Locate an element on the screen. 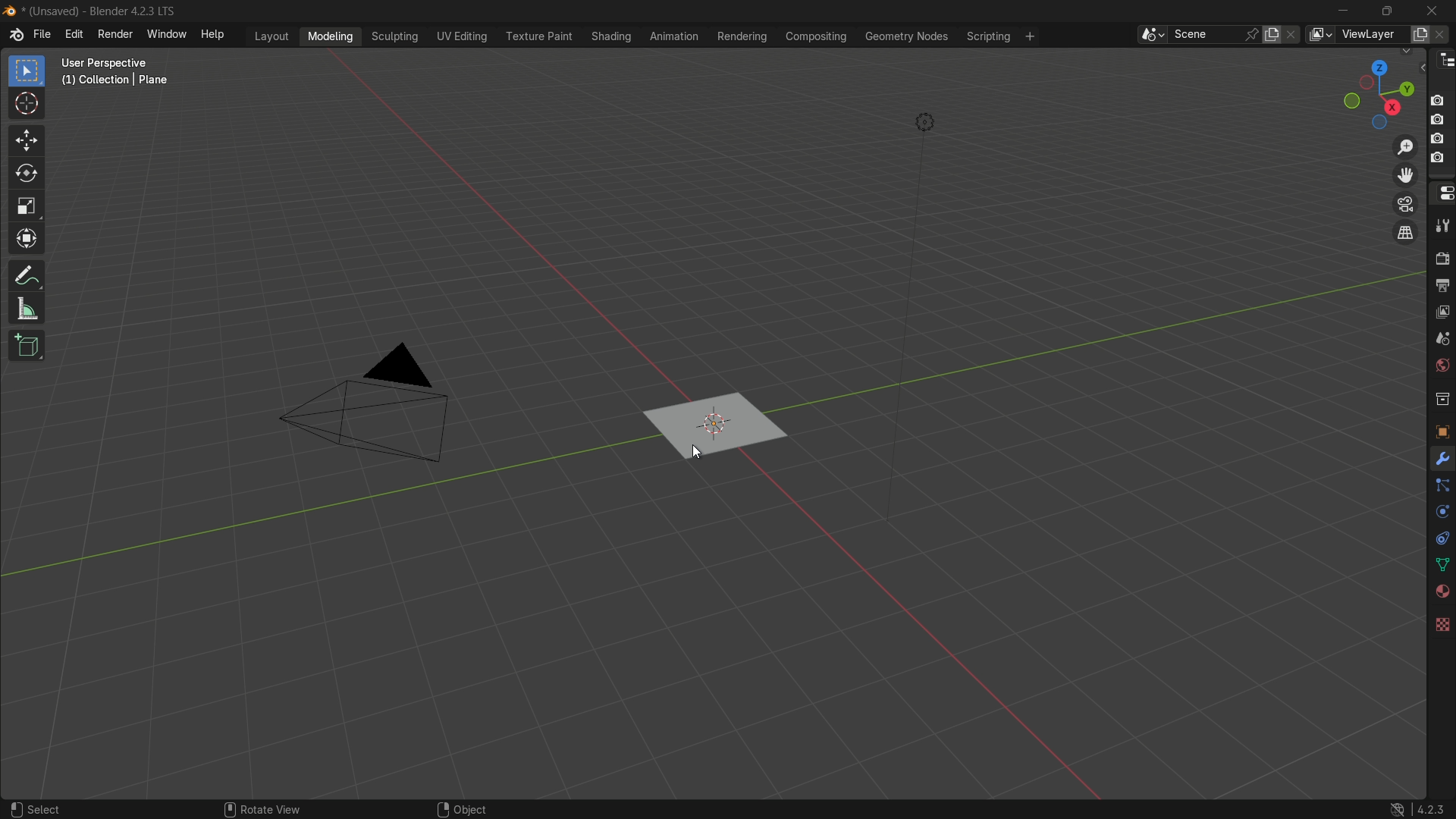 This screenshot has height=819, width=1456. scale is located at coordinates (27, 209).